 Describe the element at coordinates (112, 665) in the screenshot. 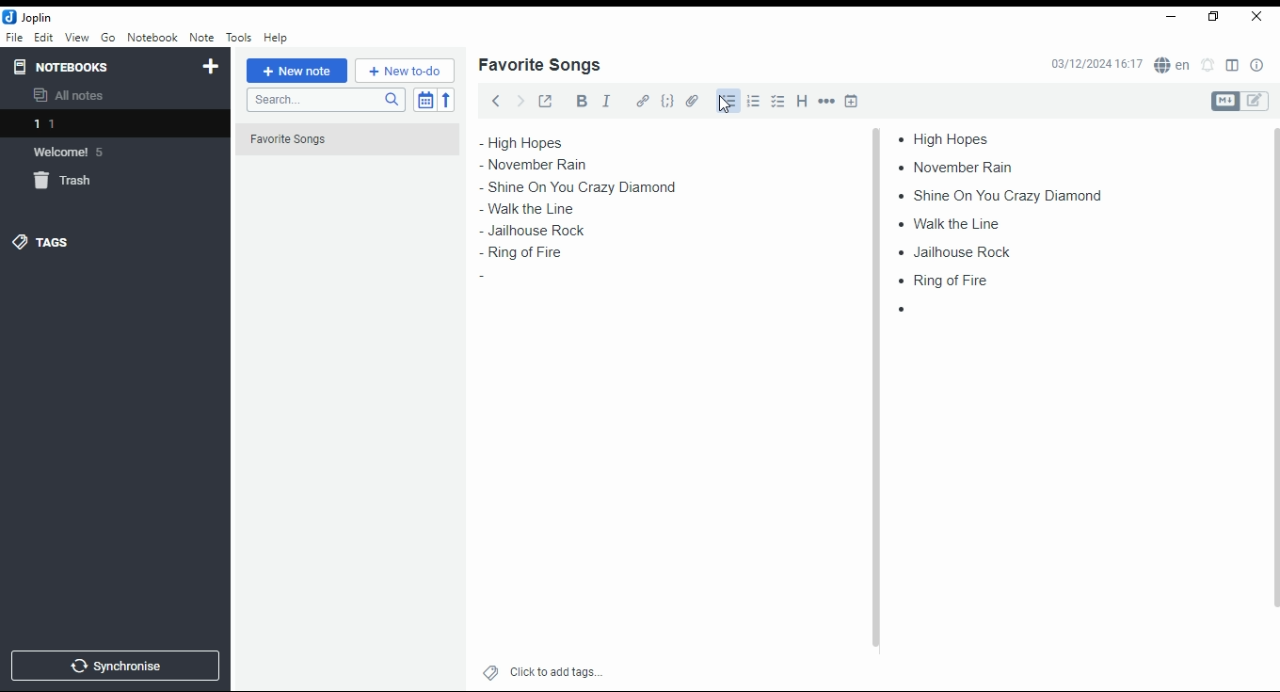

I see `synchronise` at that location.